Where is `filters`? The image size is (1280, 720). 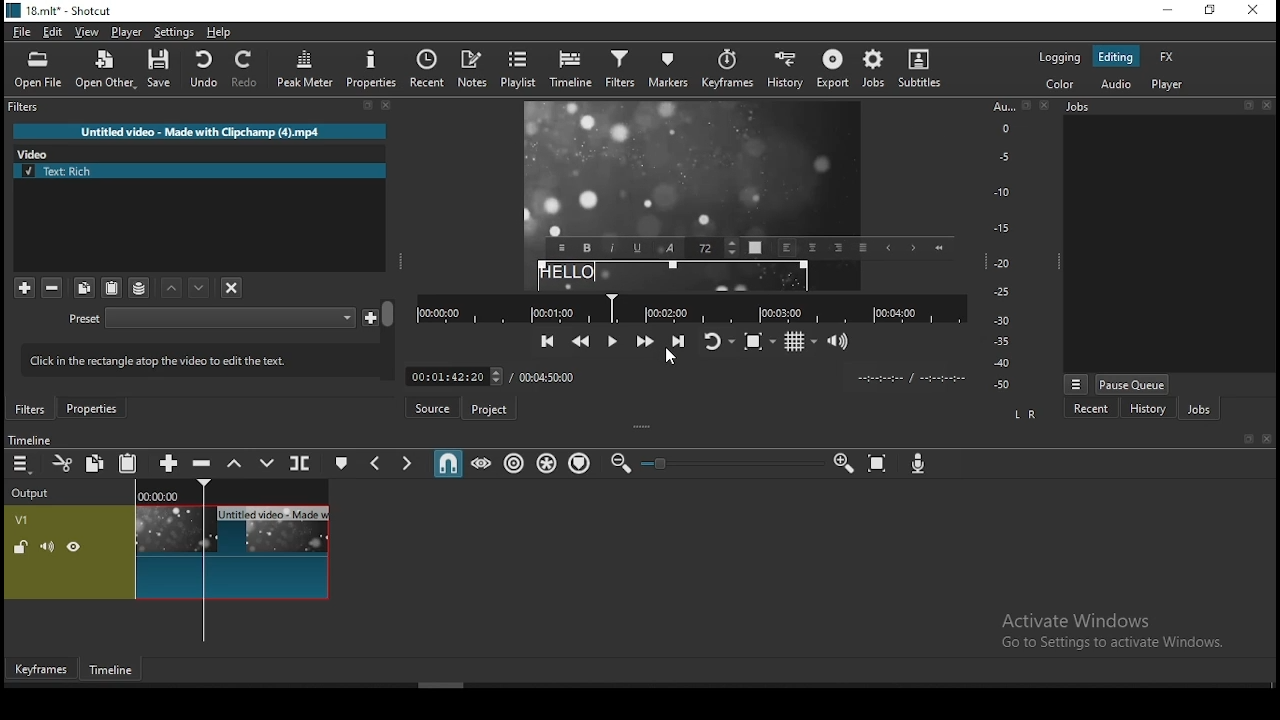 filters is located at coordinates (619, 72).